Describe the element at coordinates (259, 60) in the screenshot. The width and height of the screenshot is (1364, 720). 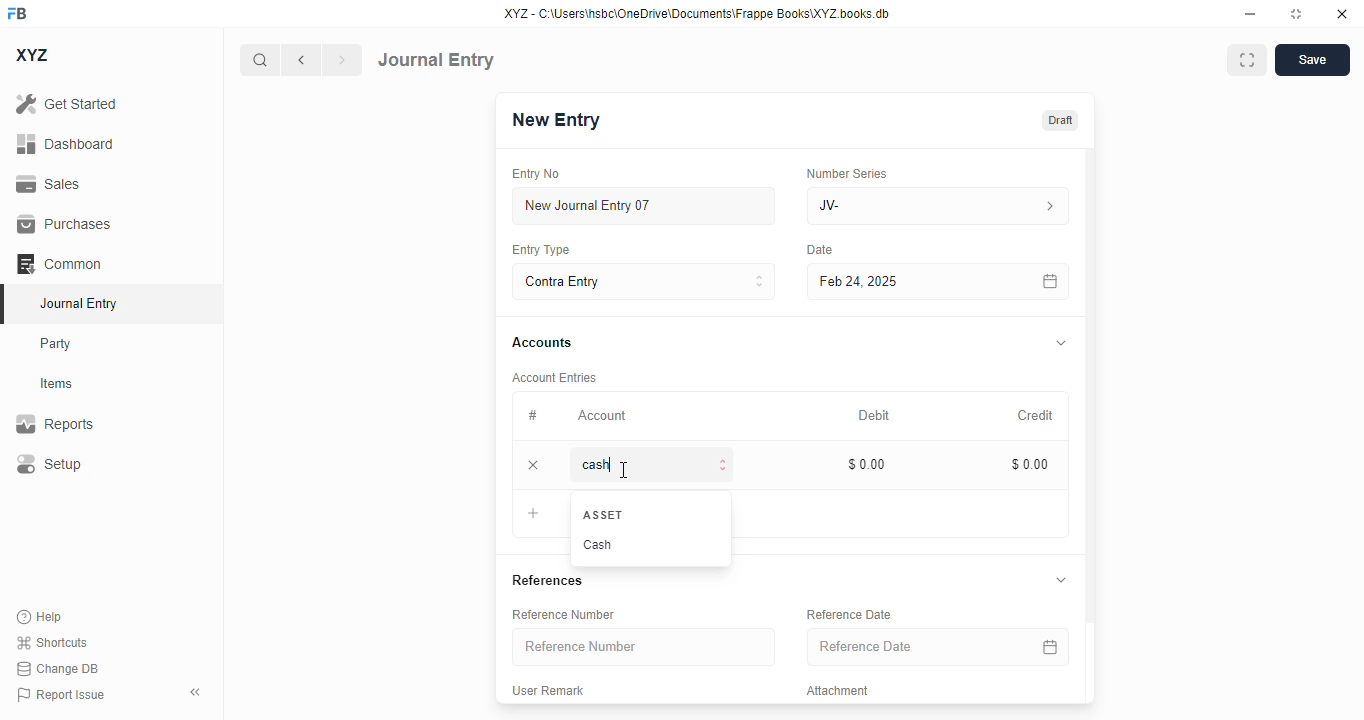
I see `search` at that location.